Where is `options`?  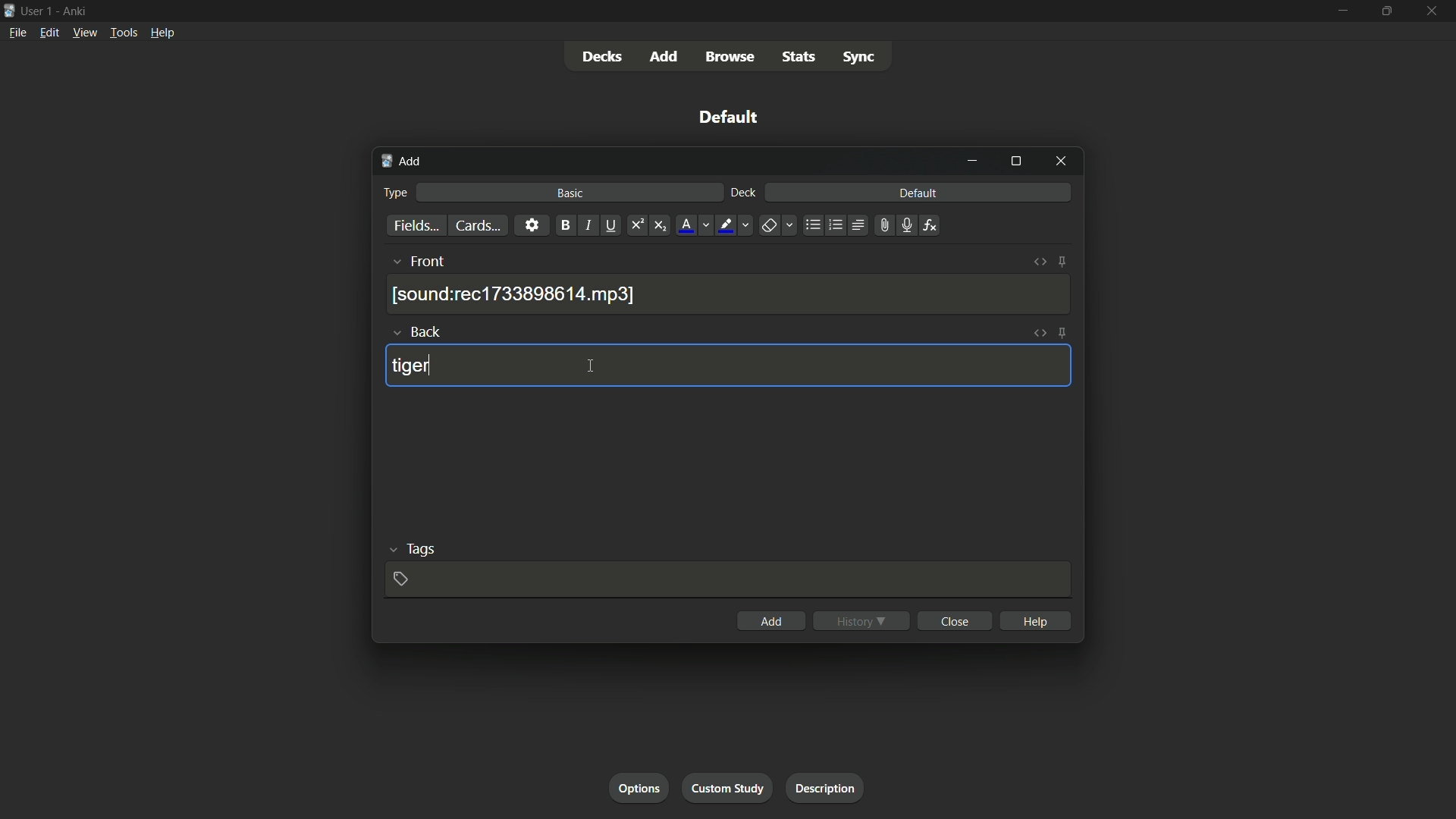
options is located at coordinates (641, 788).